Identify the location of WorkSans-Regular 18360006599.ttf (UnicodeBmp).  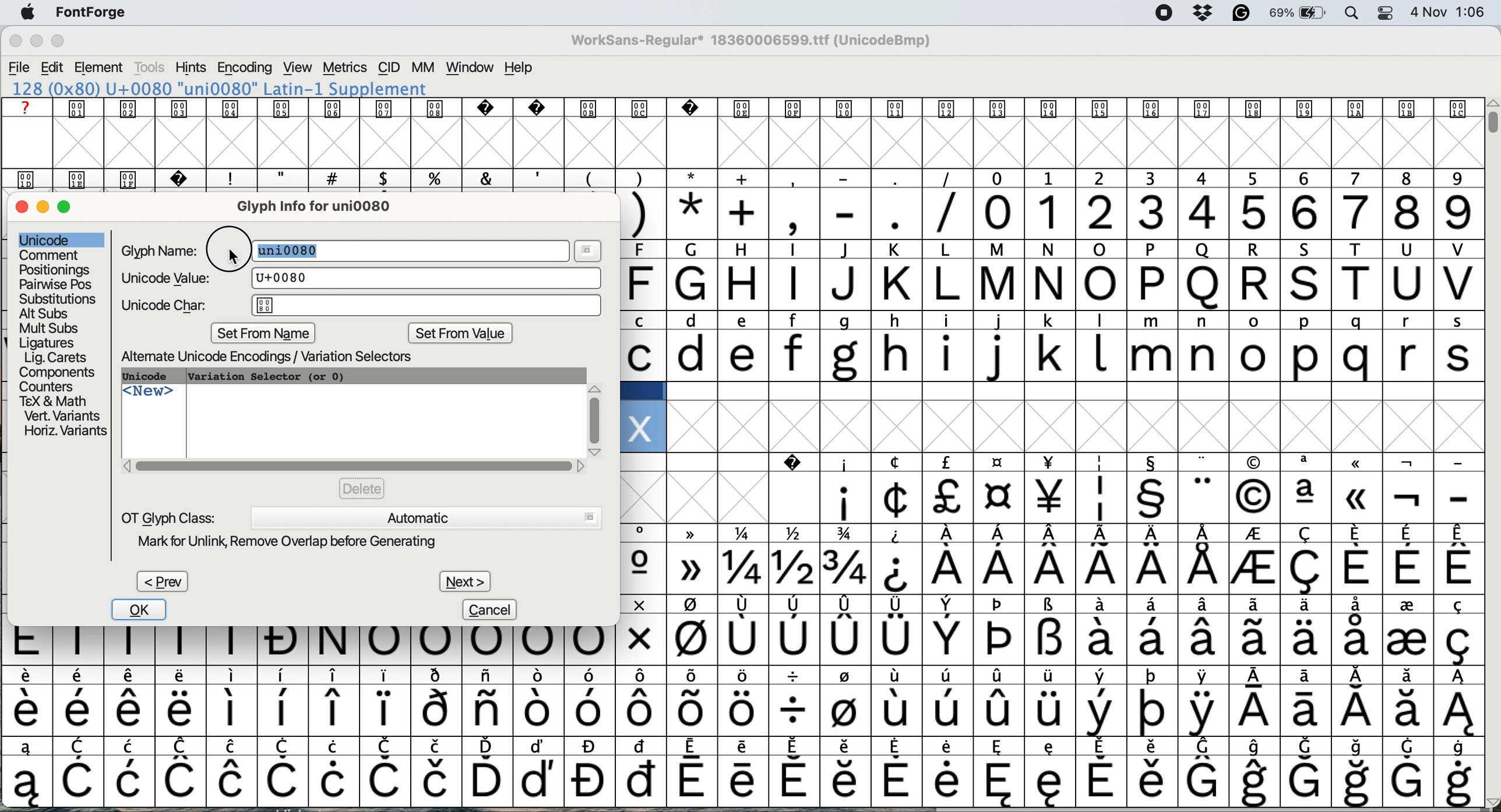
(756, 43).